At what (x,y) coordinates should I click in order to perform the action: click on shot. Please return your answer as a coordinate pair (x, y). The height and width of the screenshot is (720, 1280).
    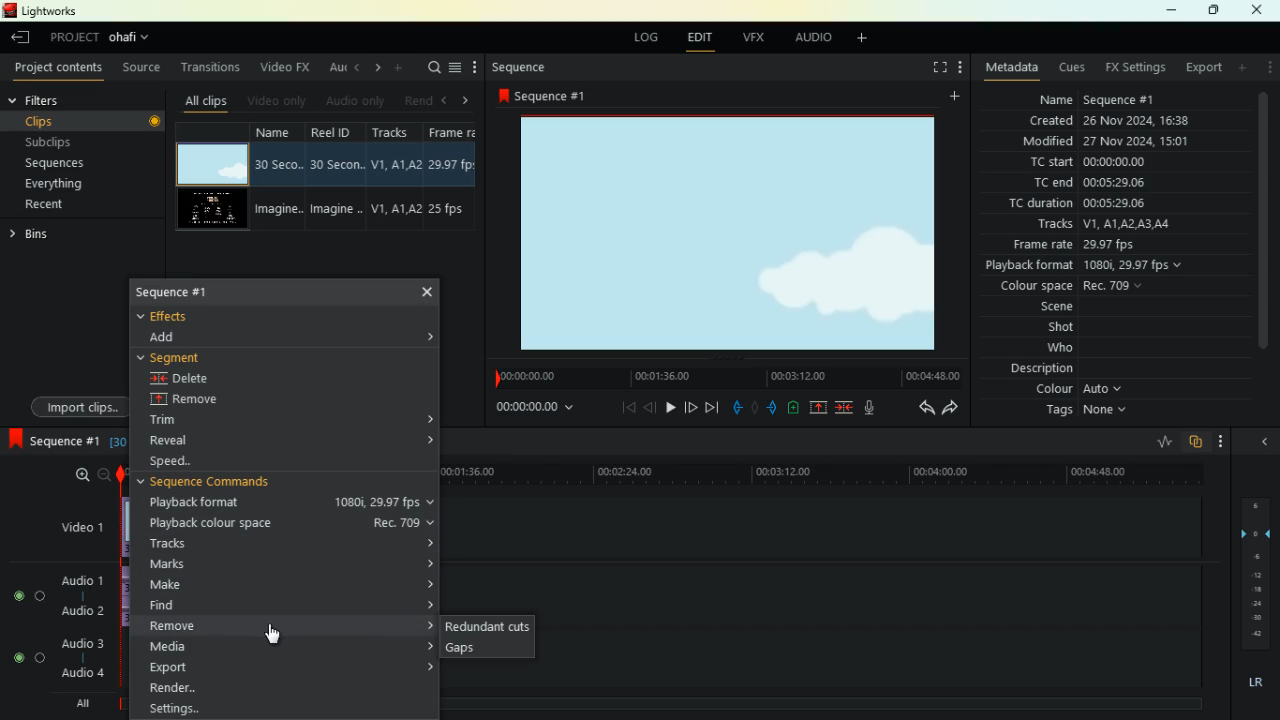
    Looking at the image, I should click on (1067, 329).